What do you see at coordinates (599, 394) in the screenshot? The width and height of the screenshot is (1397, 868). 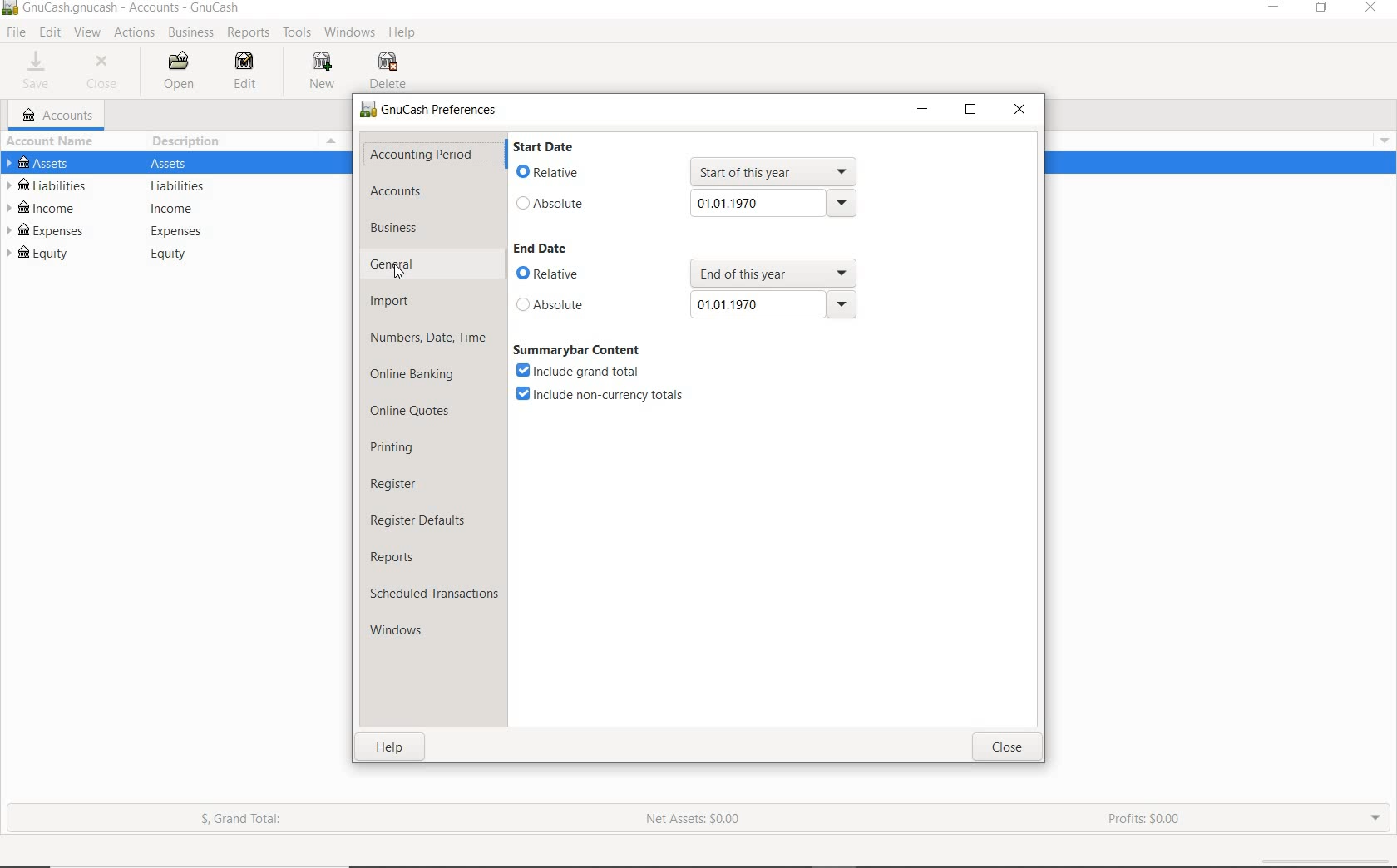 I see `INCLUDE NON-CURRENCY TOTALS` at bounding box center [599, 394].